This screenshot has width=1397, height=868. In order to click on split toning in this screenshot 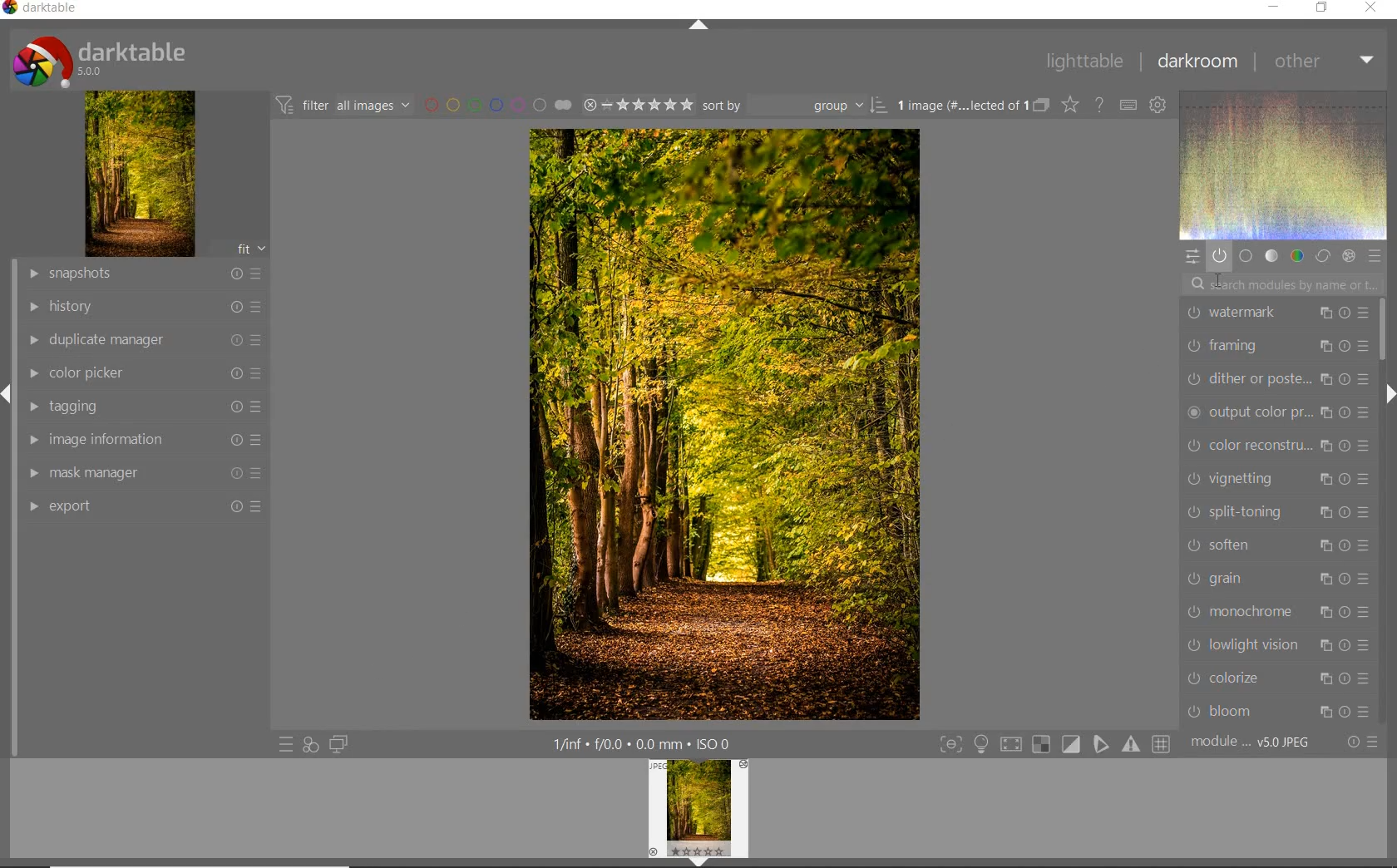, I will do `click(1279, 514)`.